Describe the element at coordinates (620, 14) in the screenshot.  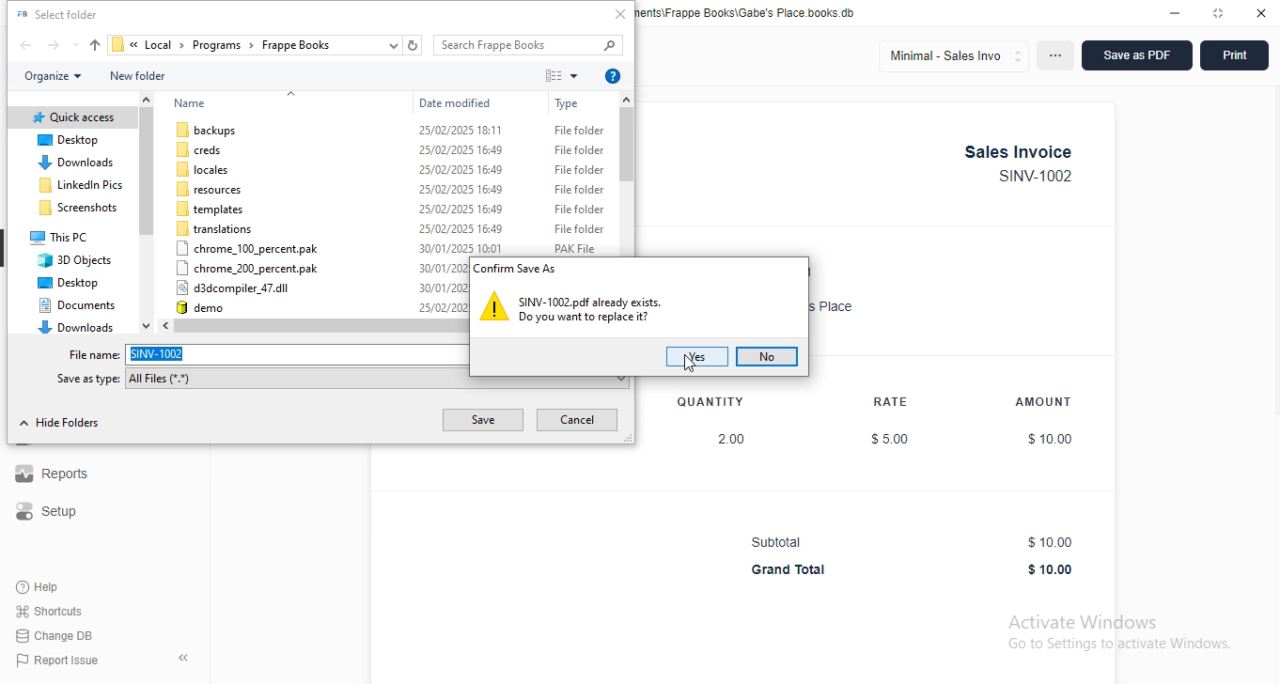
I see `close` at that location.